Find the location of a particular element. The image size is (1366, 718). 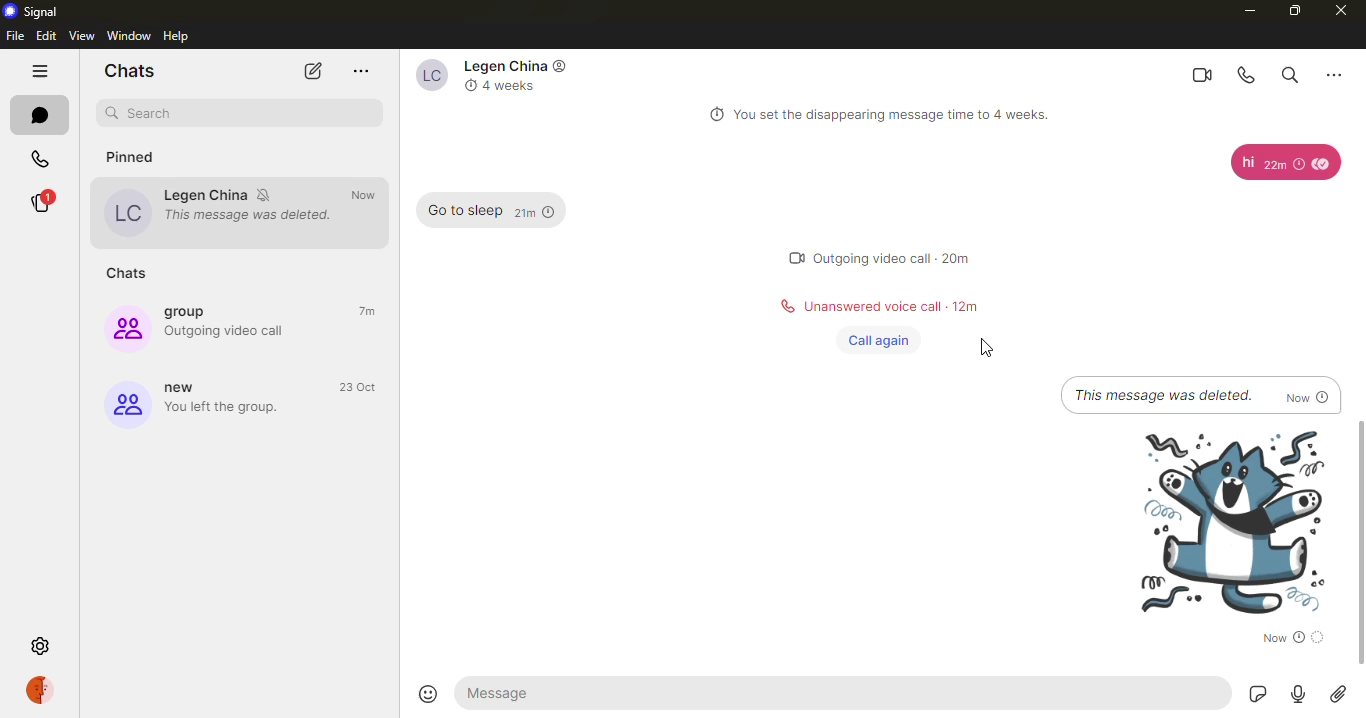

Outgoing video call is located at coordinates (229, 331).